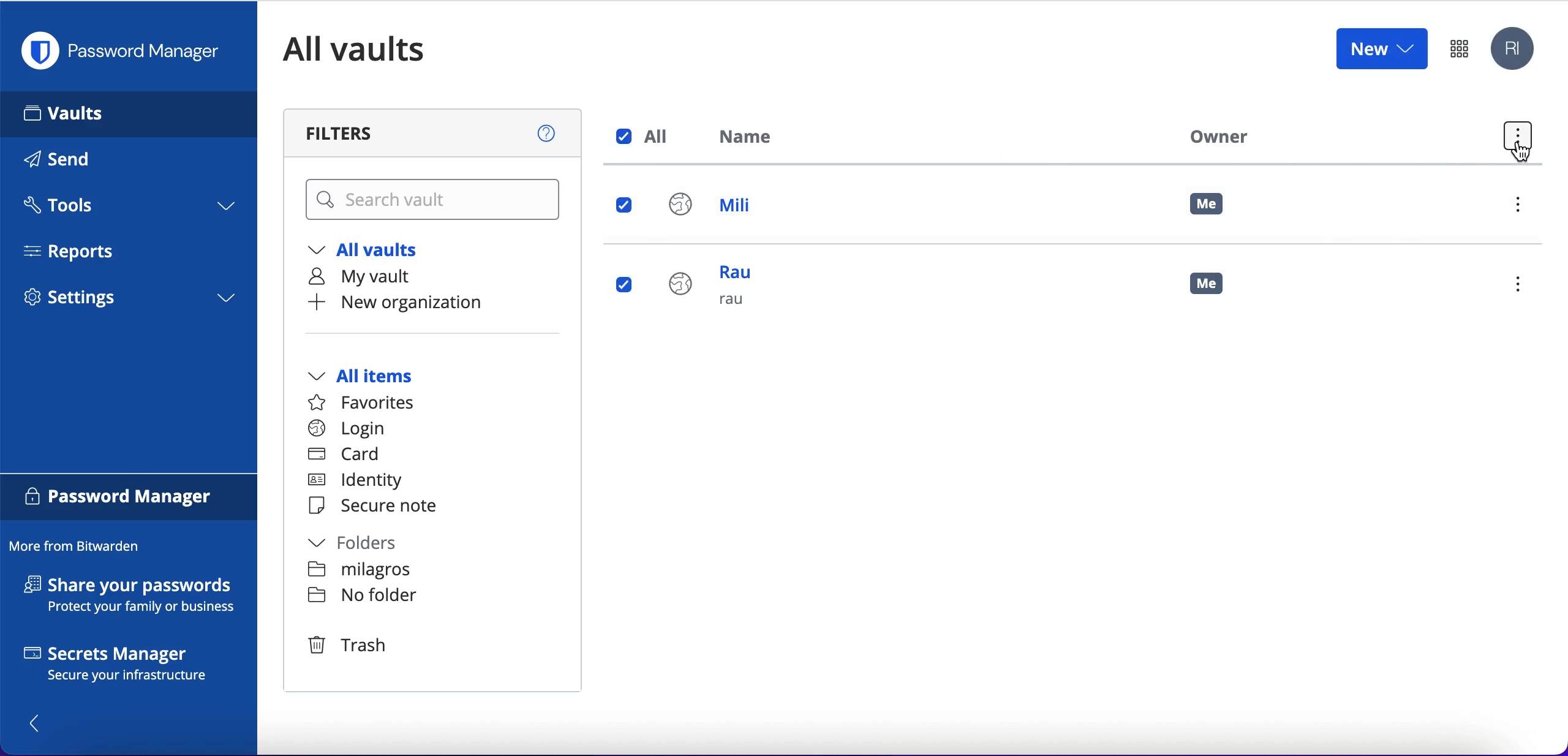 The height and width of the screenshot is (756, 1568). What do you see at coordinates (722, 208) in the screenshot?
I see `mili` at bounding box center [722, 208].